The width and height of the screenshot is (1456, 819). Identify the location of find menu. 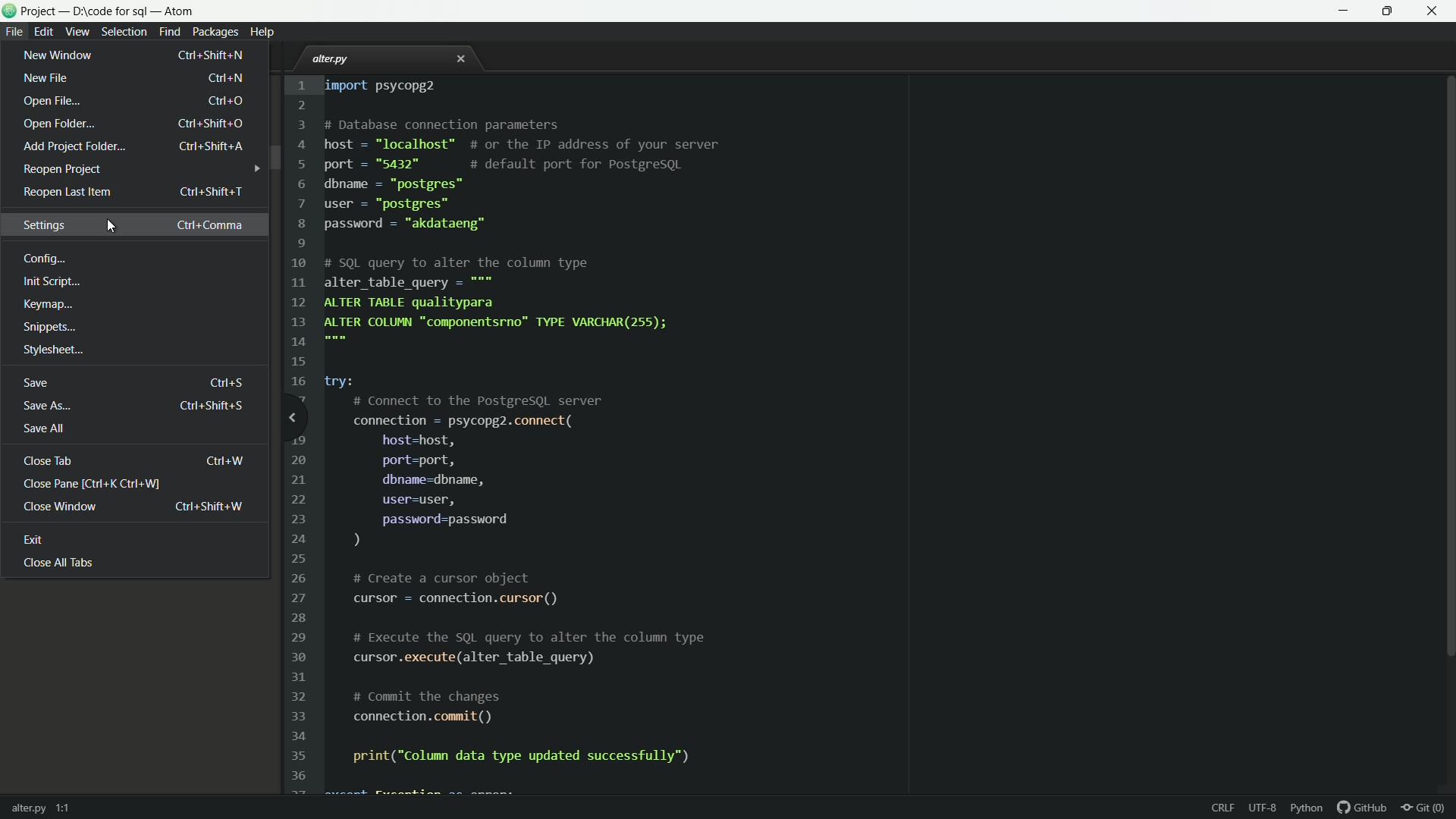
(169, 33).